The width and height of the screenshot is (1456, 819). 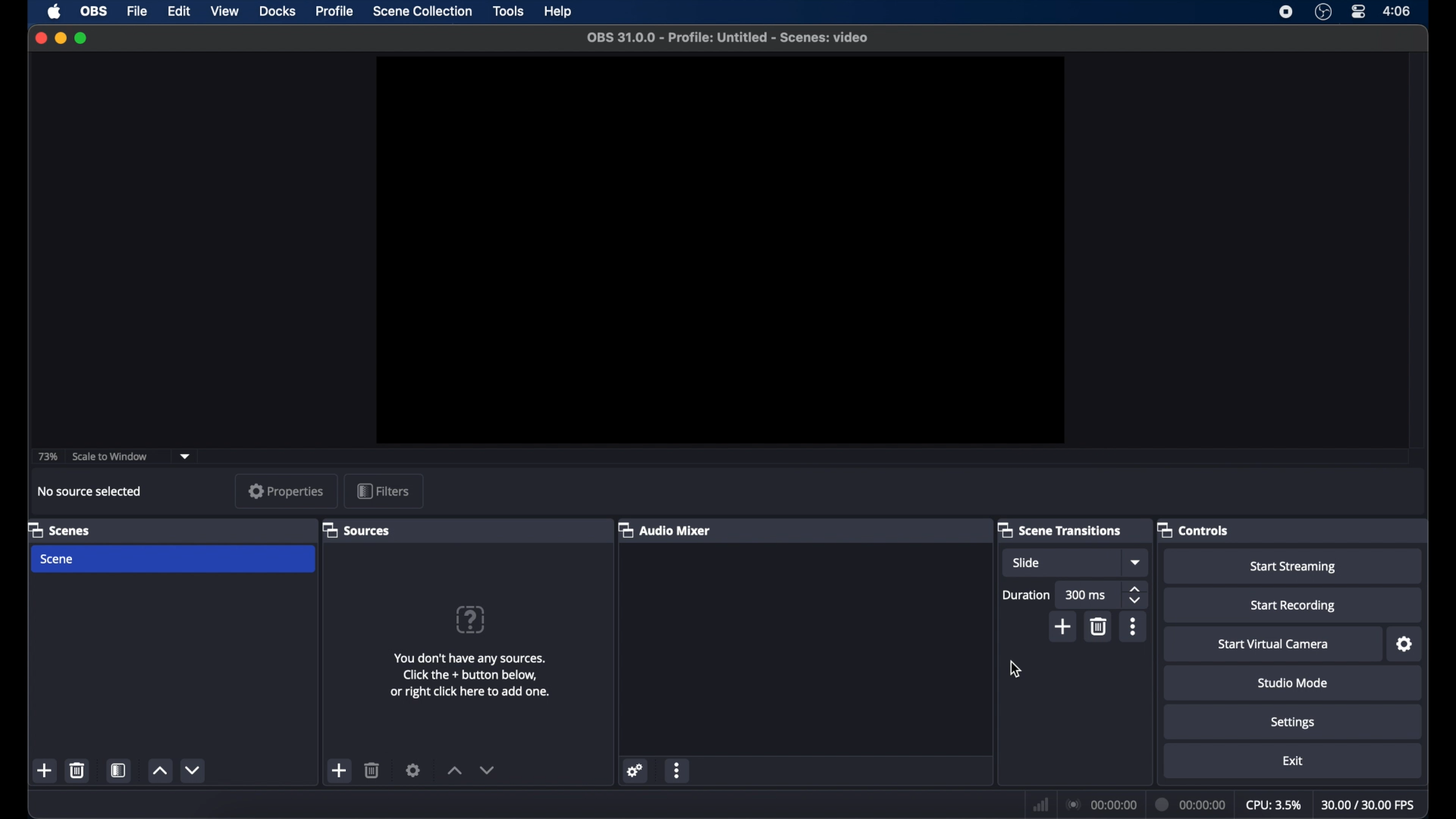 What do you see at coordinates (472, 620) in the screenshot?
I see `question mark icon` at bounding box center [472, 620].